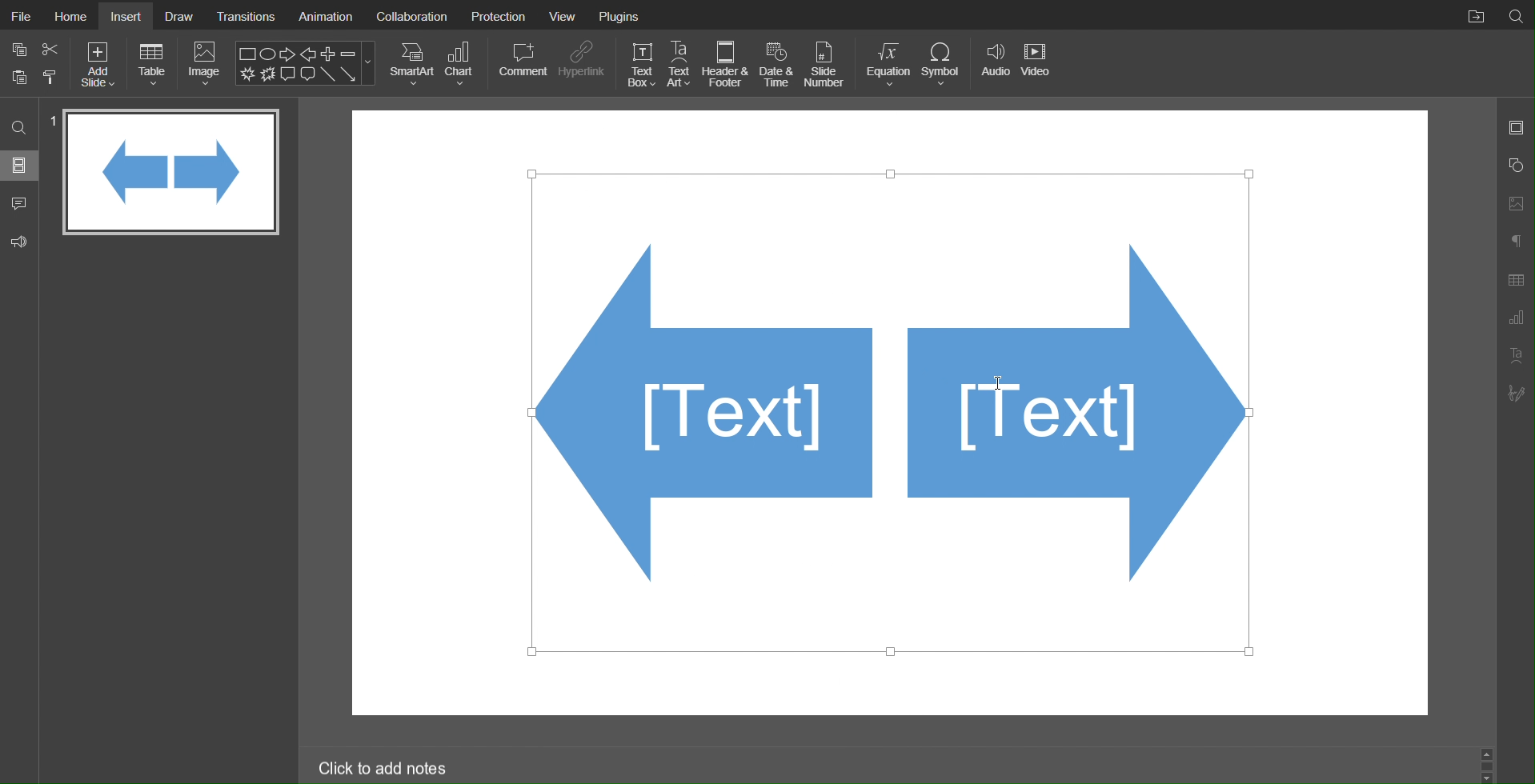 The width and height of the screenshot is (1535, 784). I want to click on Slide Number, so click(828, 63).